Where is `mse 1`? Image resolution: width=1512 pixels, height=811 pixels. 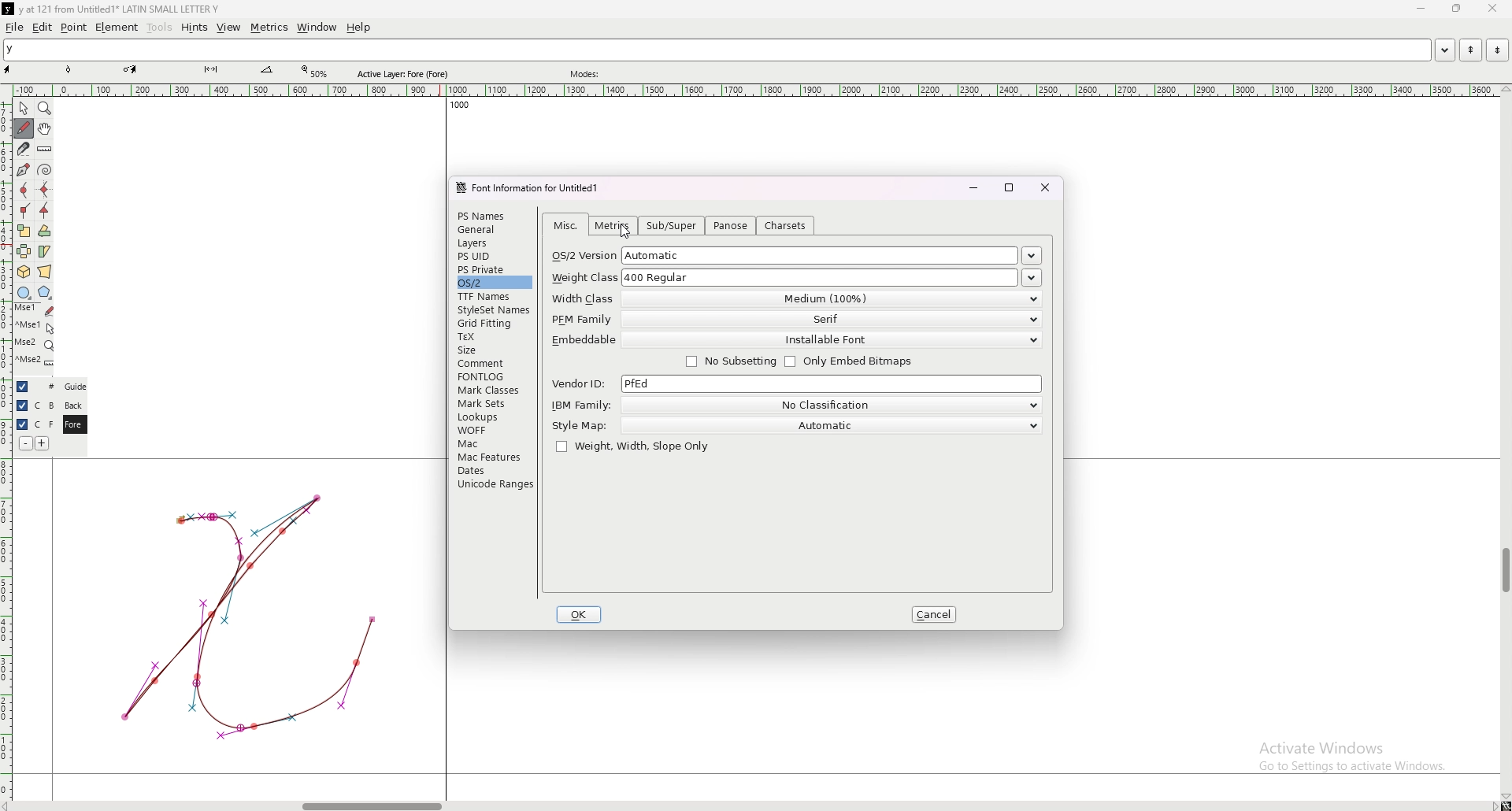 mse 1 is located at coordinates (35, 326).